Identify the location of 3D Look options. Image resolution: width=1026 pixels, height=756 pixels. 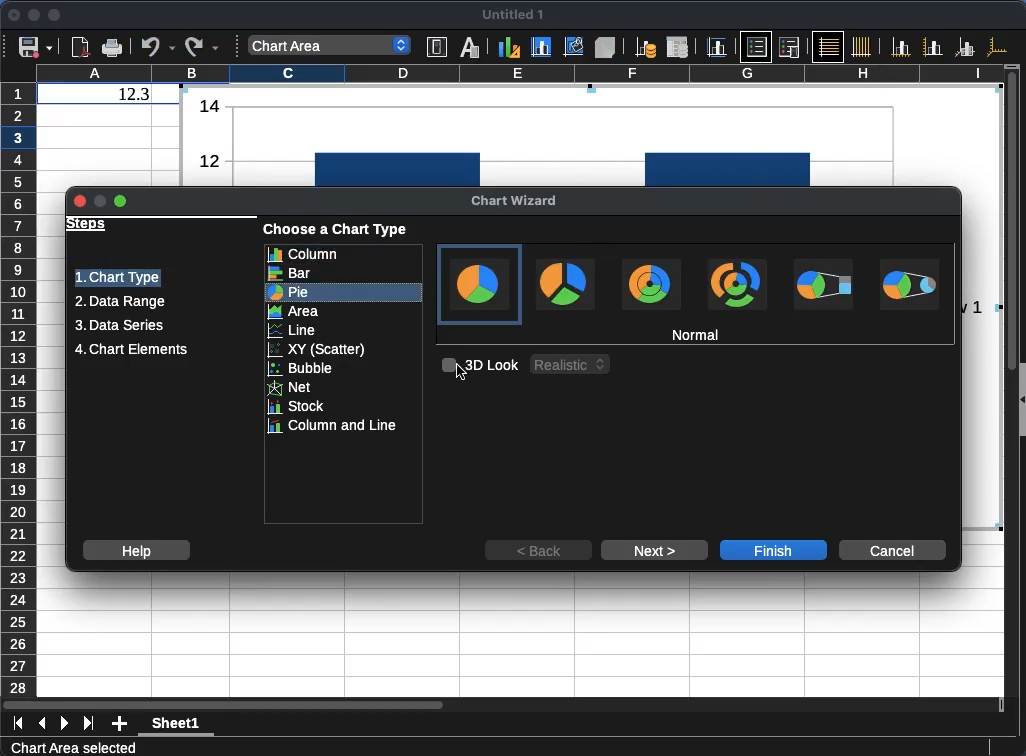
(571, 364).